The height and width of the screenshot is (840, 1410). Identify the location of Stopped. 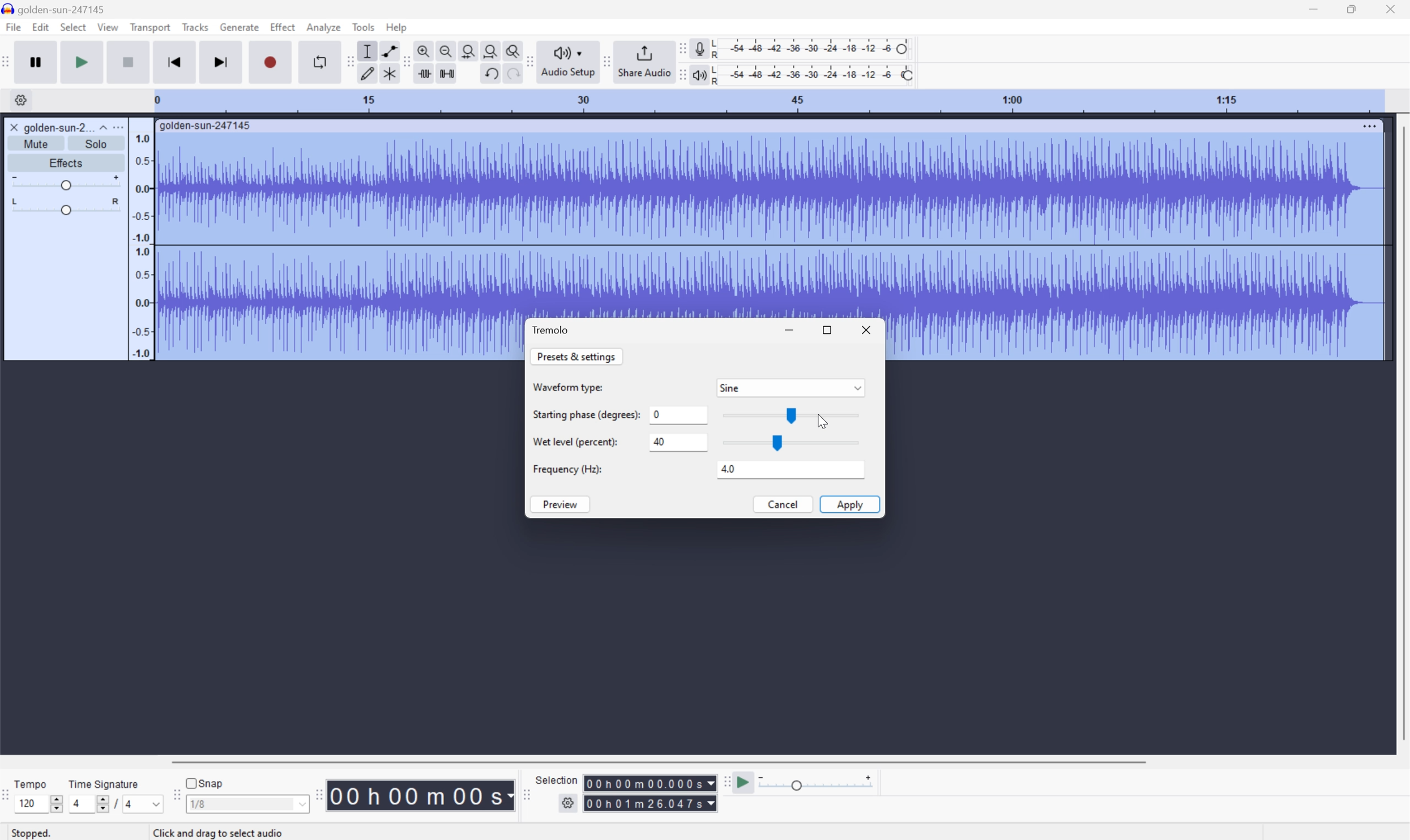
(32, 833).